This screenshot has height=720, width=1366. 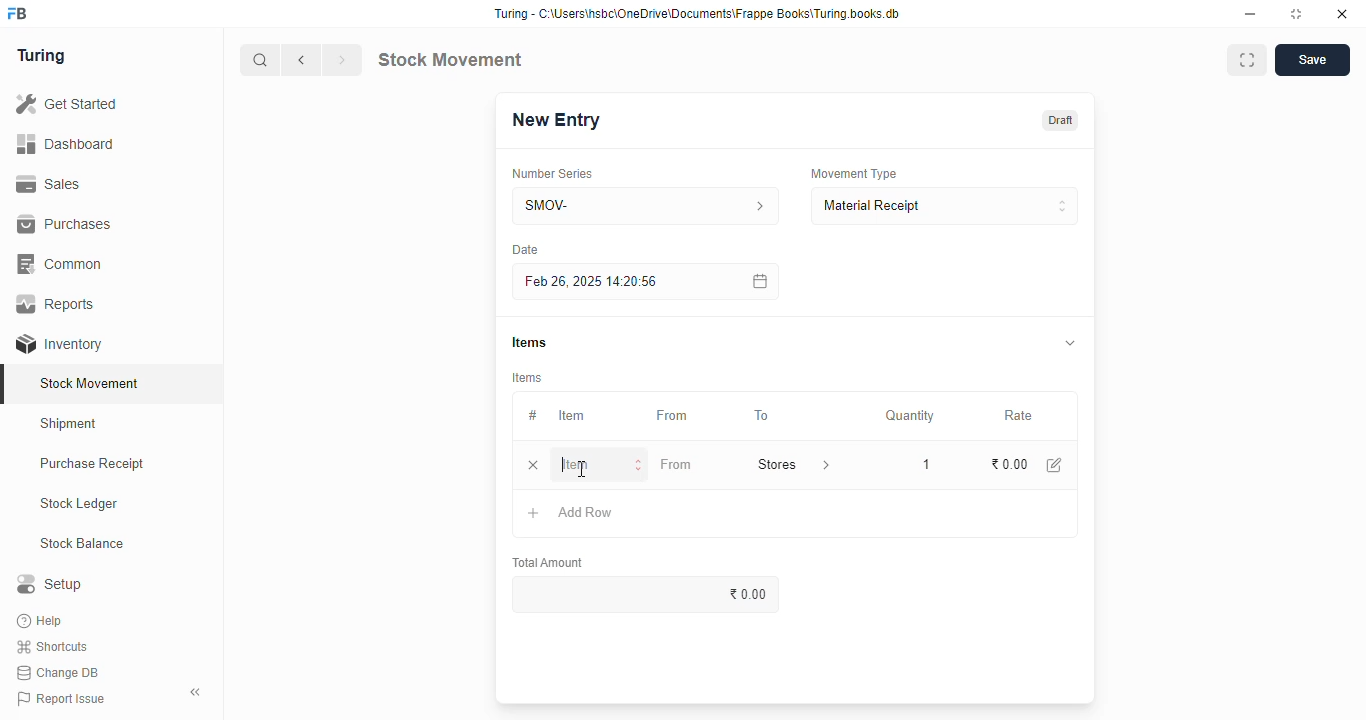 I want to click on item, so click(x=601, y=465).